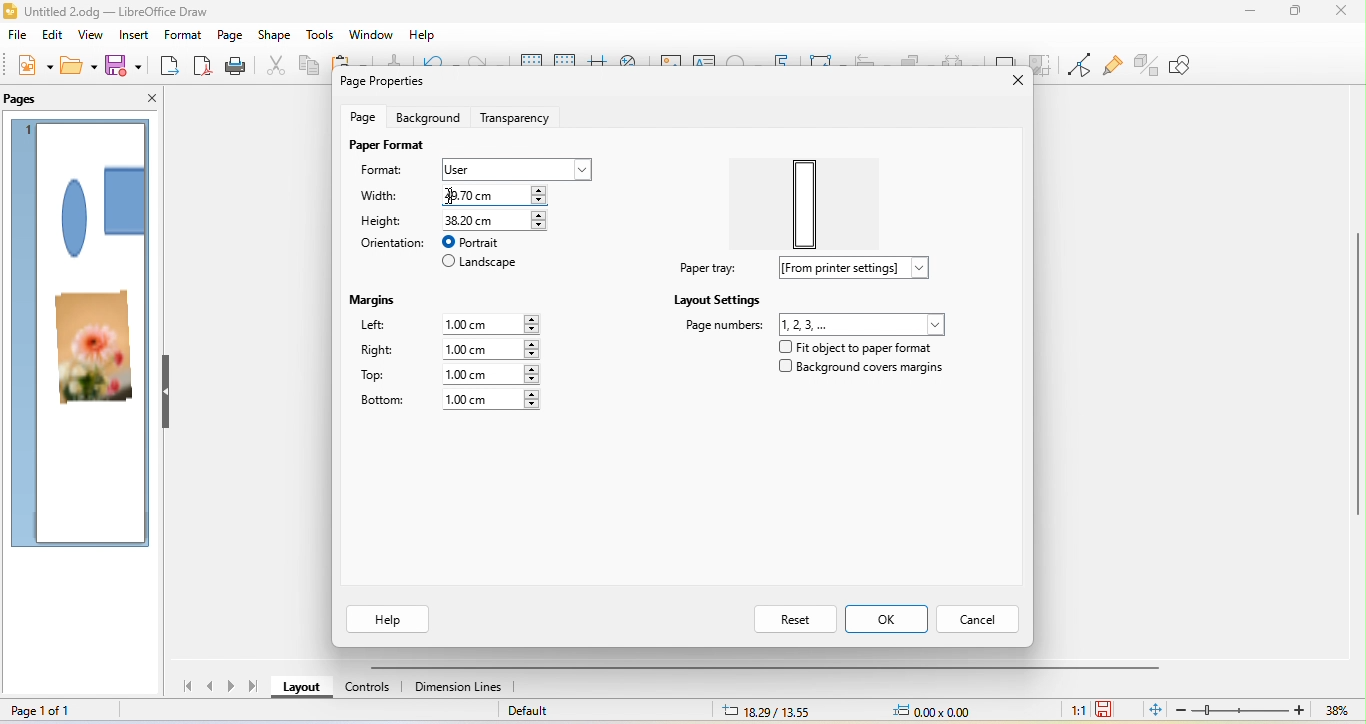  Describe the element at coordinates (214, 689) in the screenshot. I see `previous page` at that location.